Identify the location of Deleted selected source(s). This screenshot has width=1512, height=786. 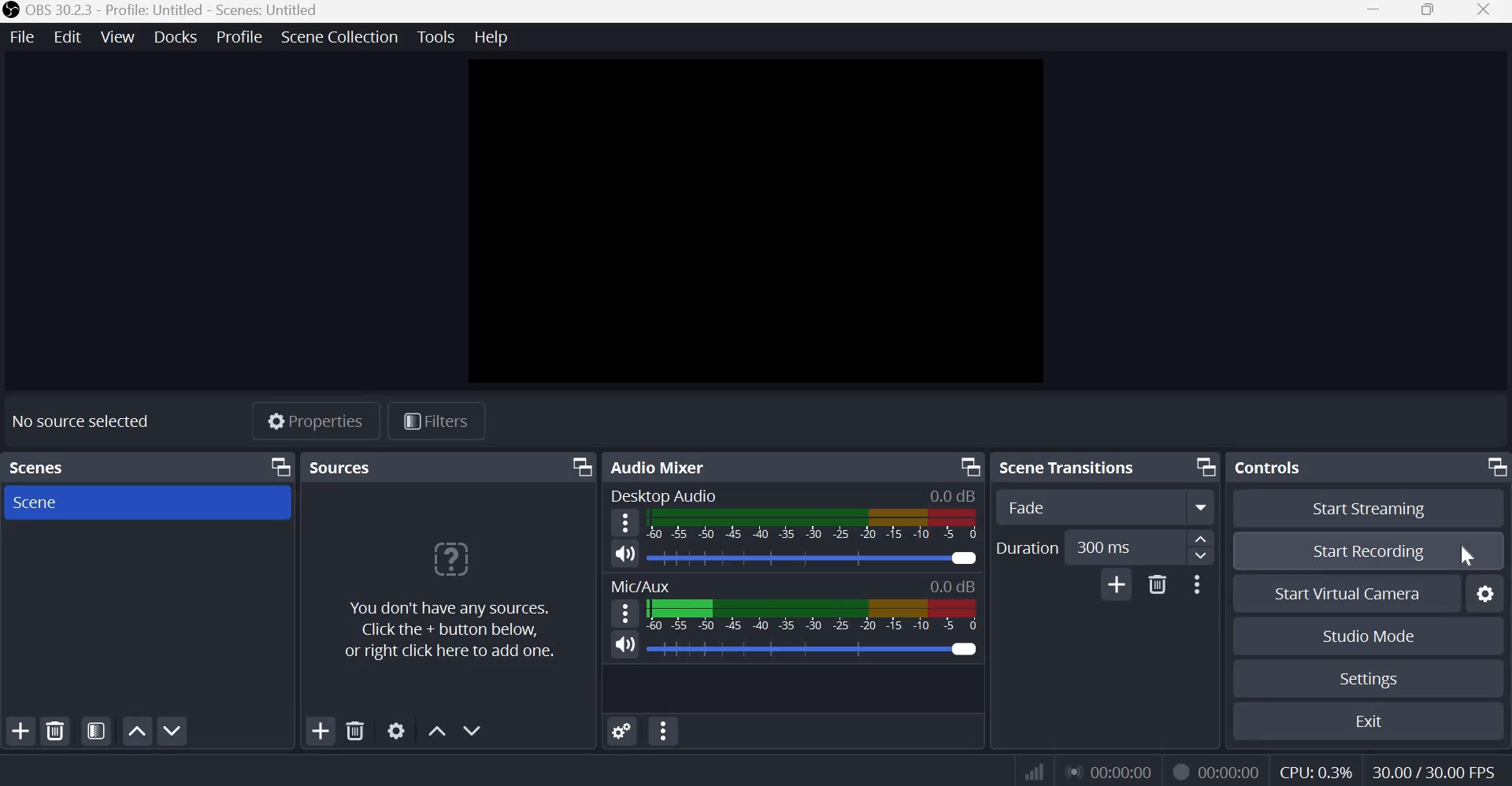
(355, 732).